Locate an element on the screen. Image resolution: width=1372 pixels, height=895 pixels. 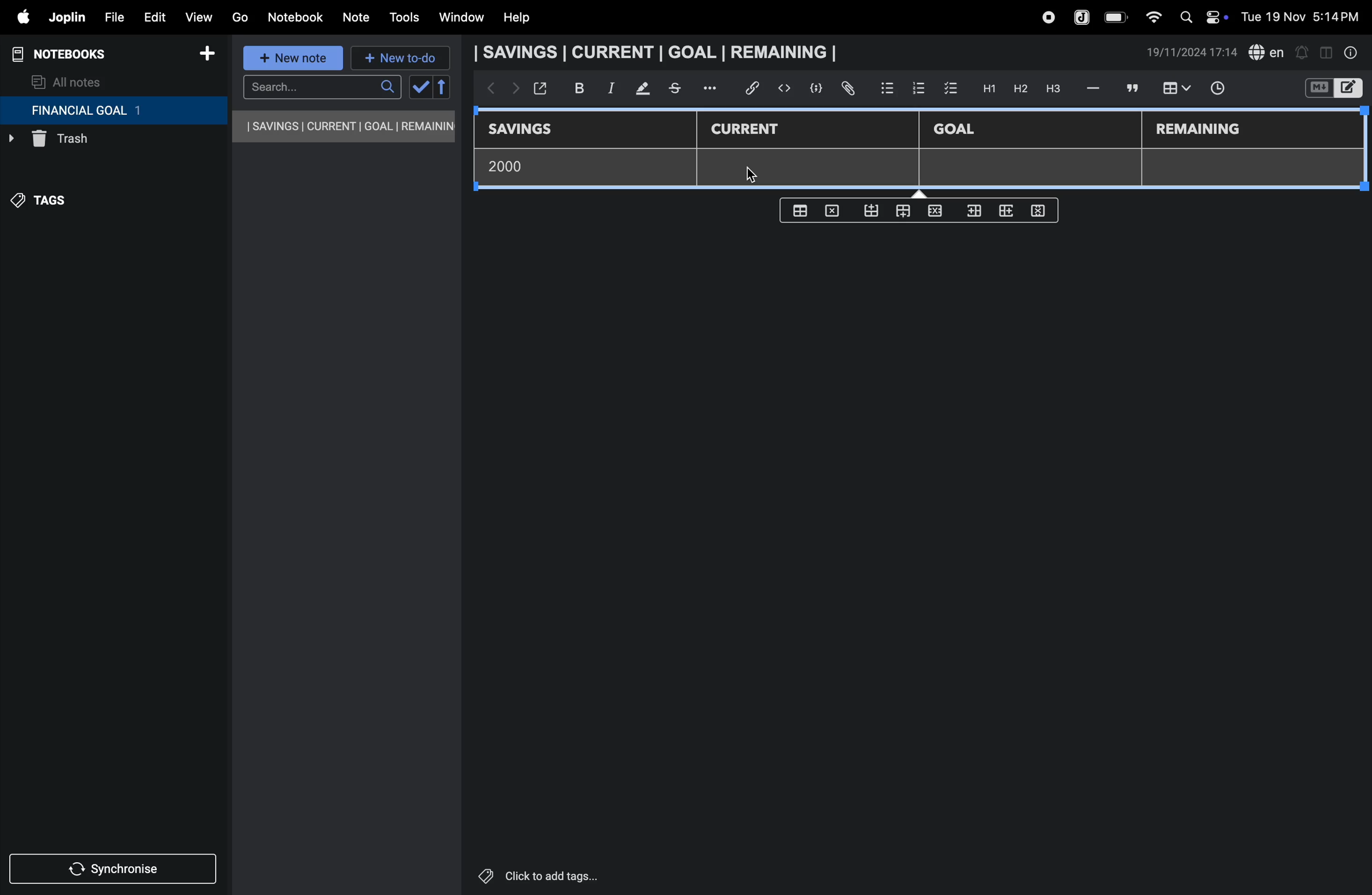
from top is located at coordinates (900, 212).